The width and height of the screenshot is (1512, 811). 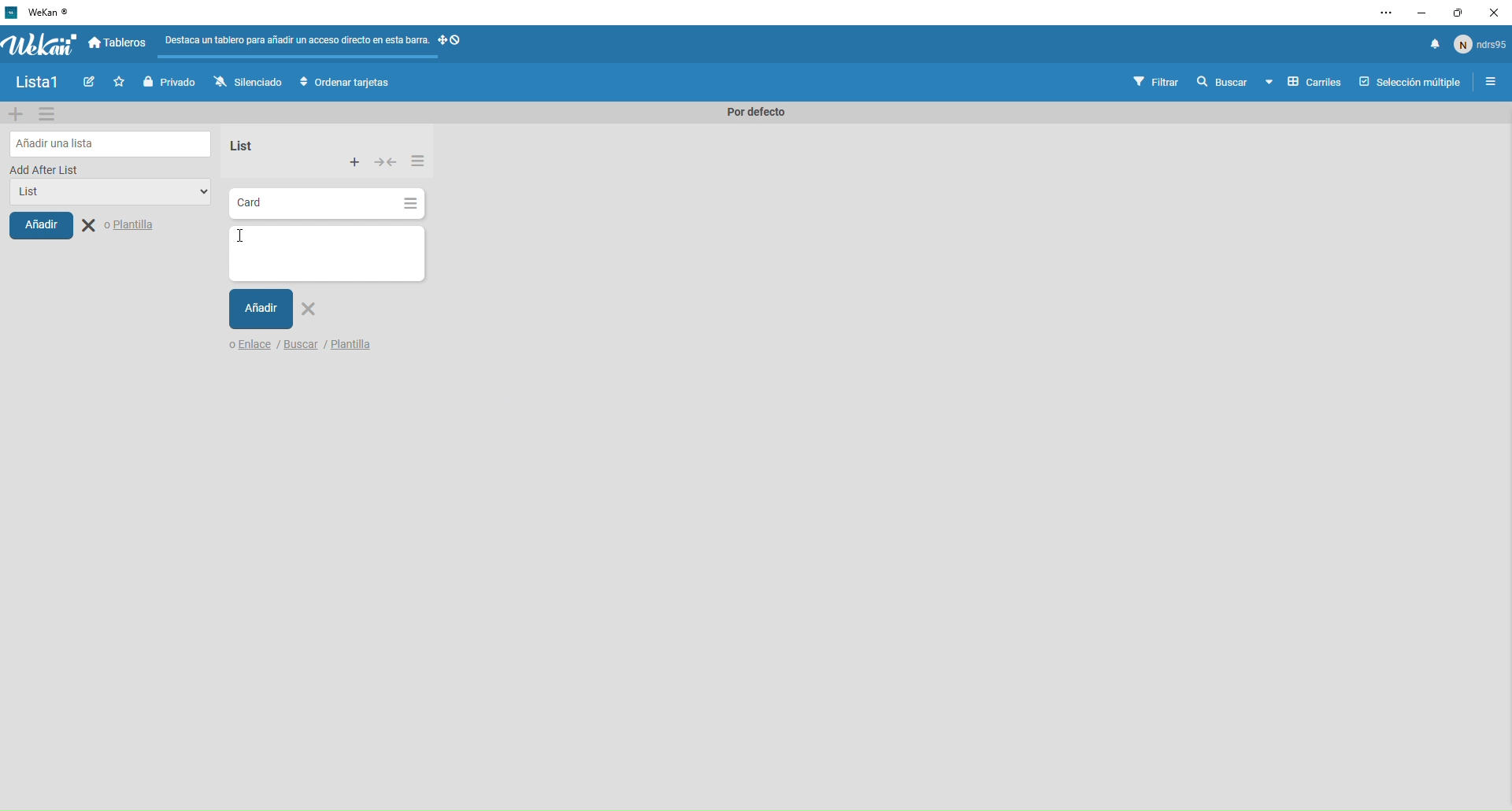 What do you see at coordinates (39, 44) in the screenshot?
I see `Wekan` at bounding box center [39, 44].